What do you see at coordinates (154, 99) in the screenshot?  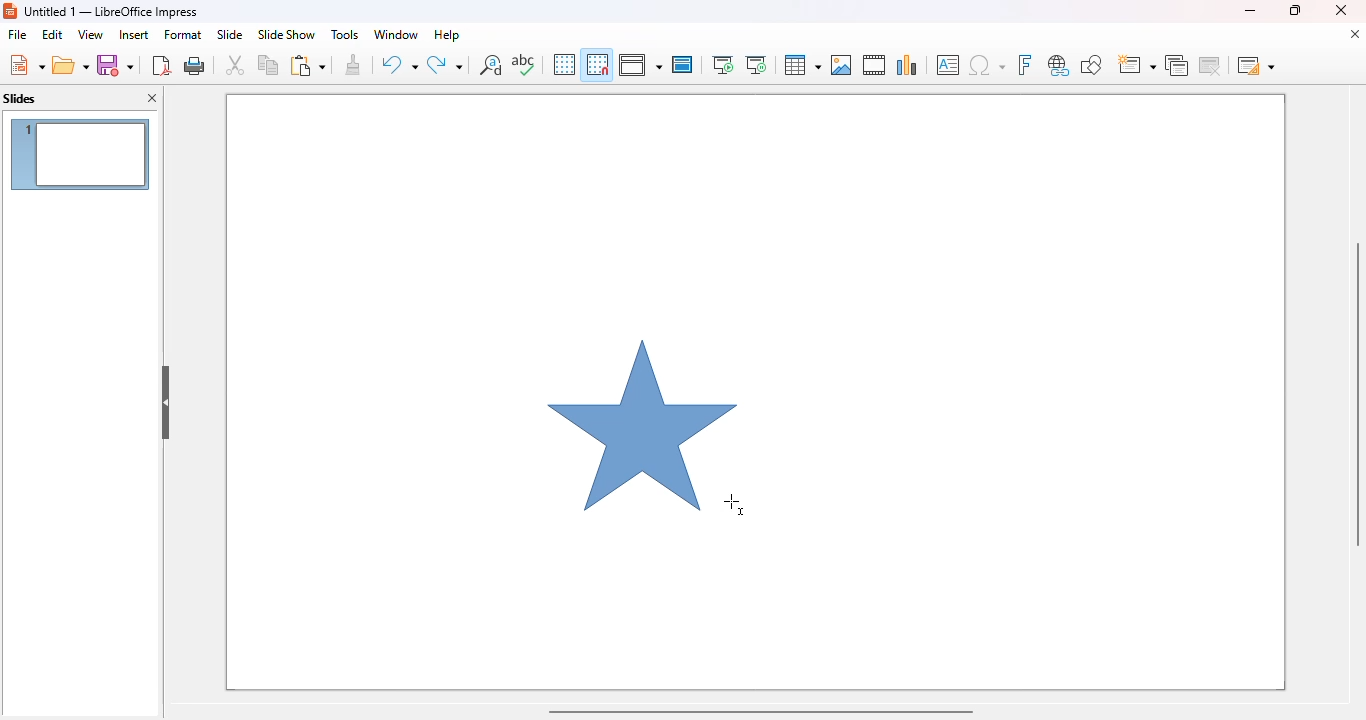 I see `close pane` at bounding box center [154, 99].